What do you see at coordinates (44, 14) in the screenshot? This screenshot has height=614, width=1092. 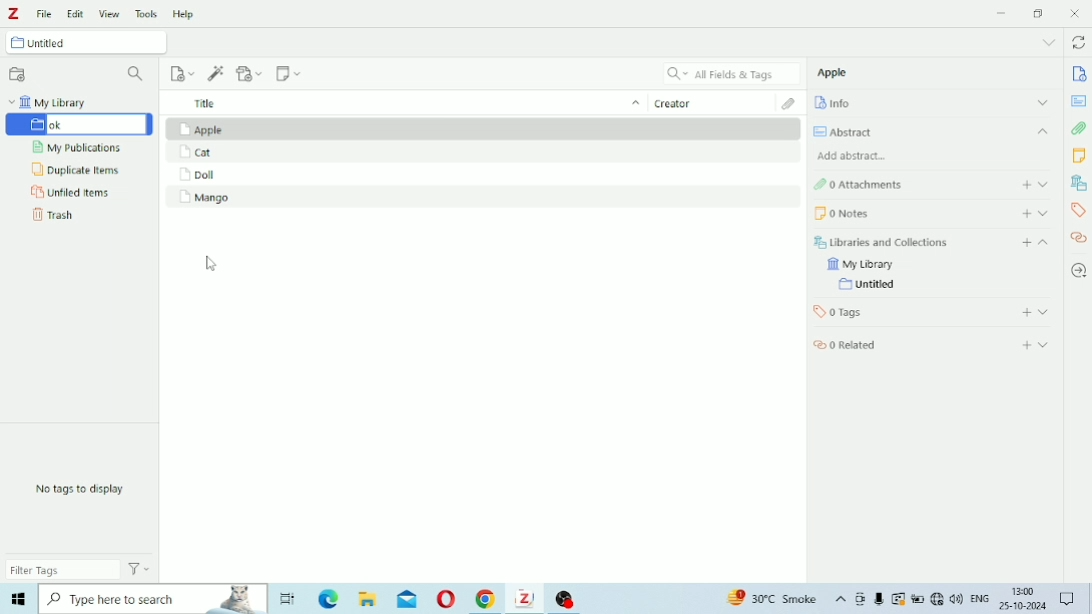 I see `File` at bounding box center [44, 14].